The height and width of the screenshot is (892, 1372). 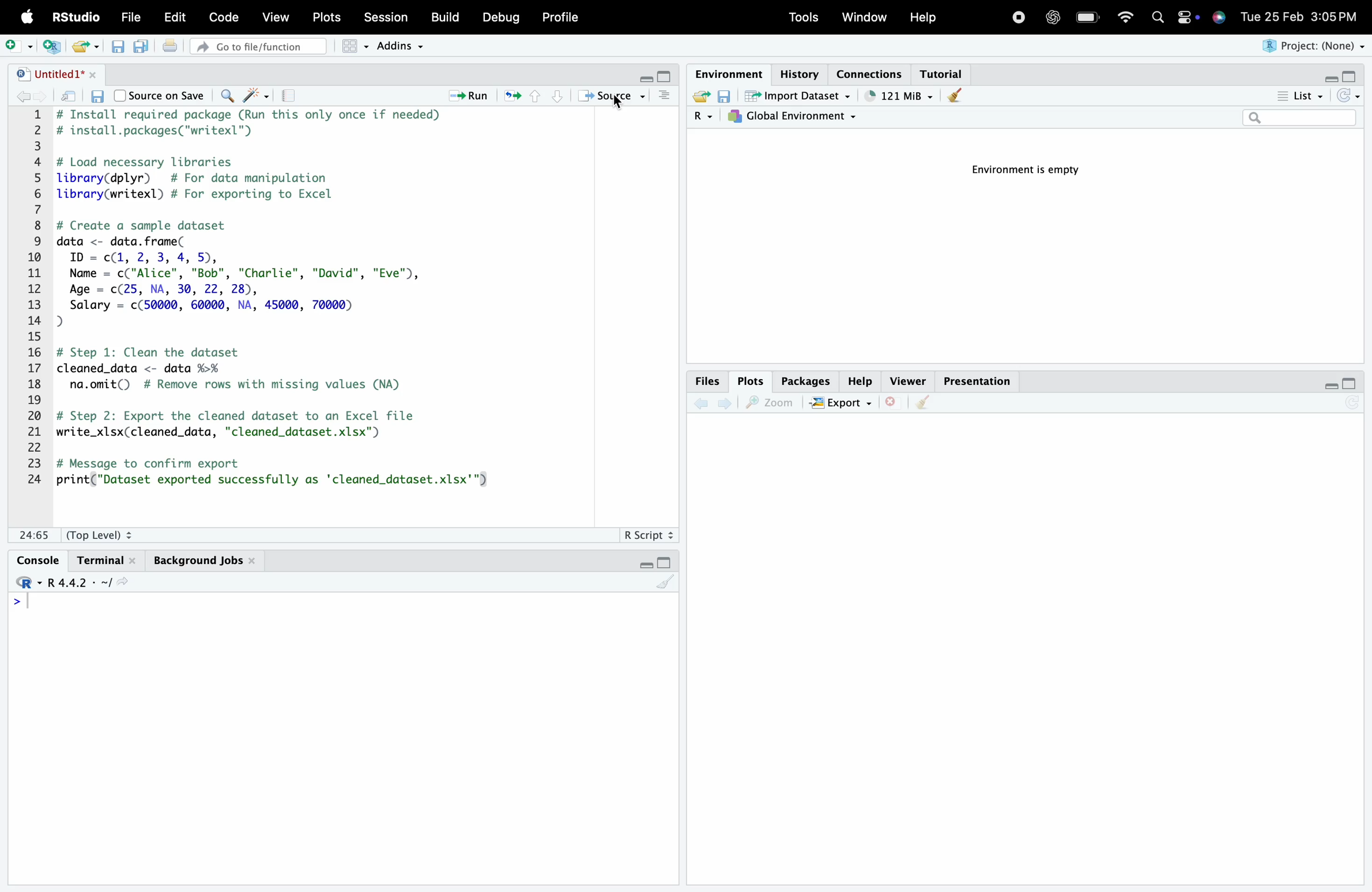 I want to click on Minimize, so click(x=1332, y=385).